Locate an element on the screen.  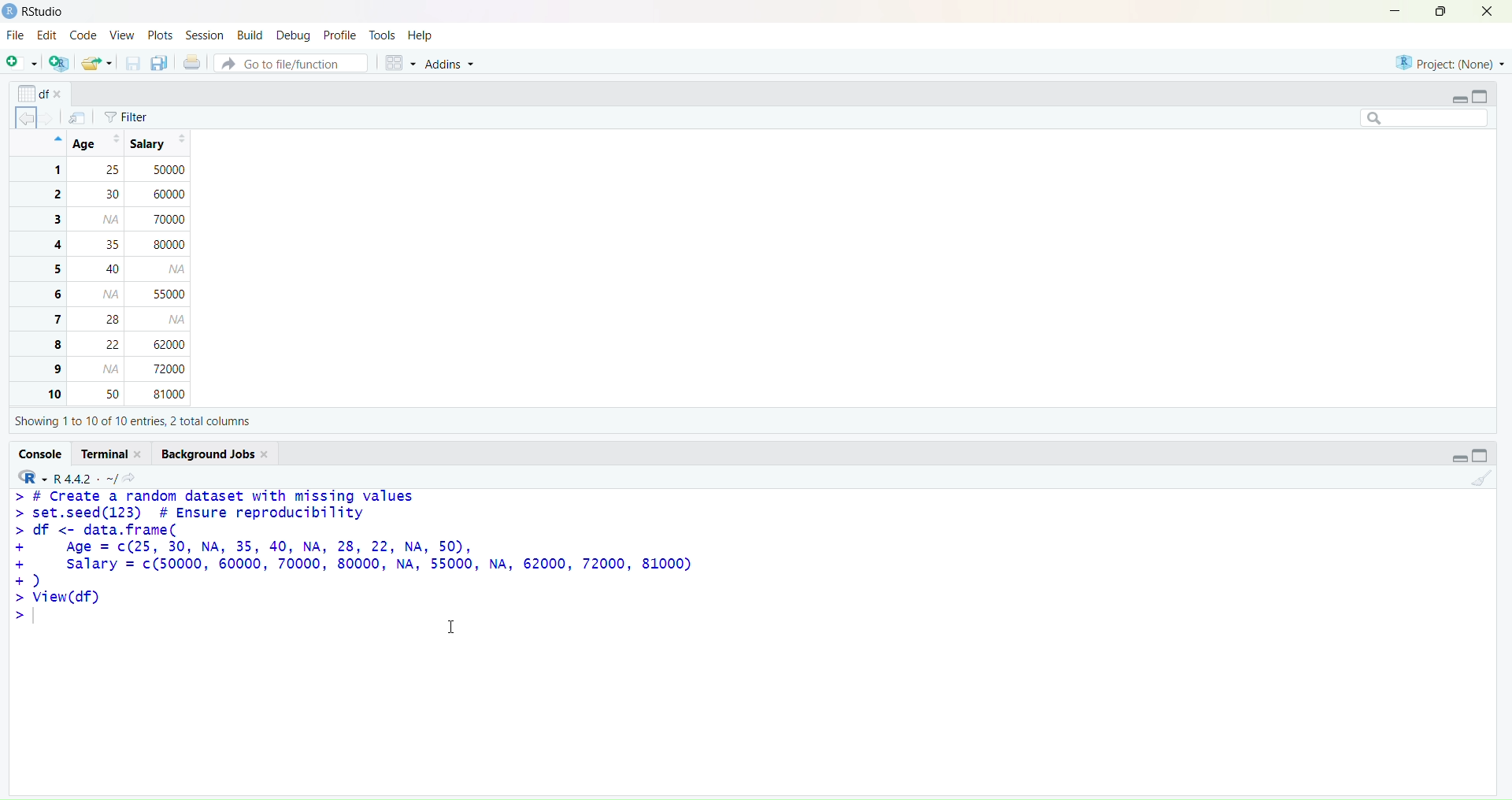
search is located at coordinates (1416, 117).